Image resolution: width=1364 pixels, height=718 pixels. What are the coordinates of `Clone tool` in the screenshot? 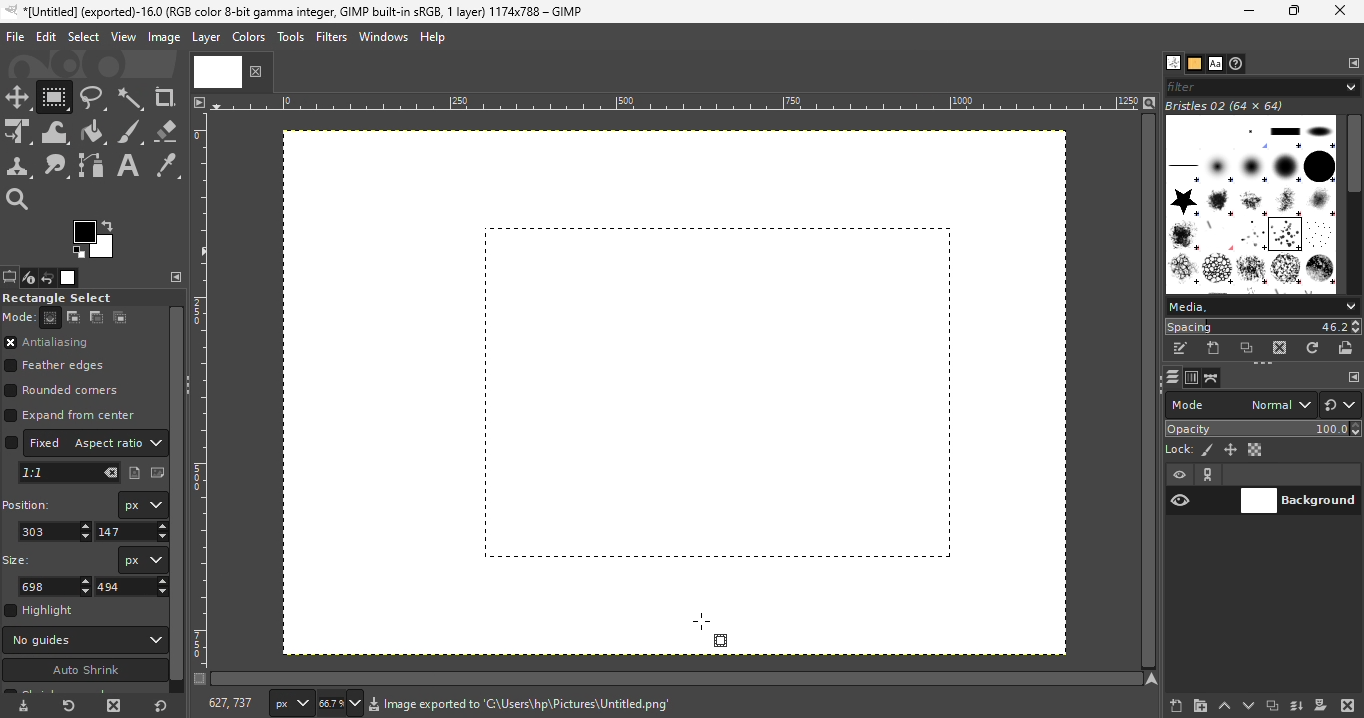 It's located at (19, 167).